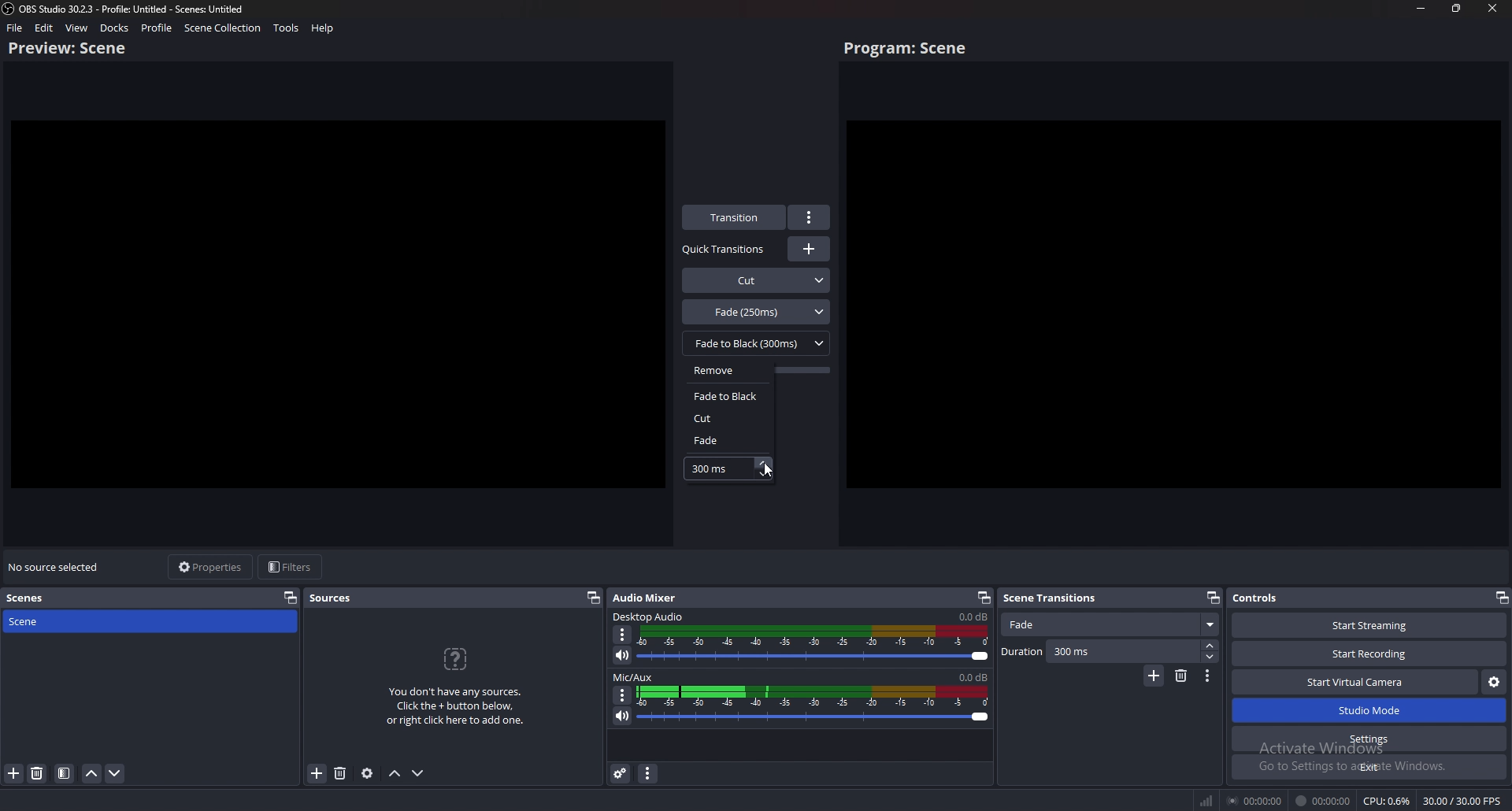 The height and width of the screenshot is (811, 1512). What do you see at coordinates (1208, 677) in the screenshot?
I see `Options` at bounding box center [1208, 677].